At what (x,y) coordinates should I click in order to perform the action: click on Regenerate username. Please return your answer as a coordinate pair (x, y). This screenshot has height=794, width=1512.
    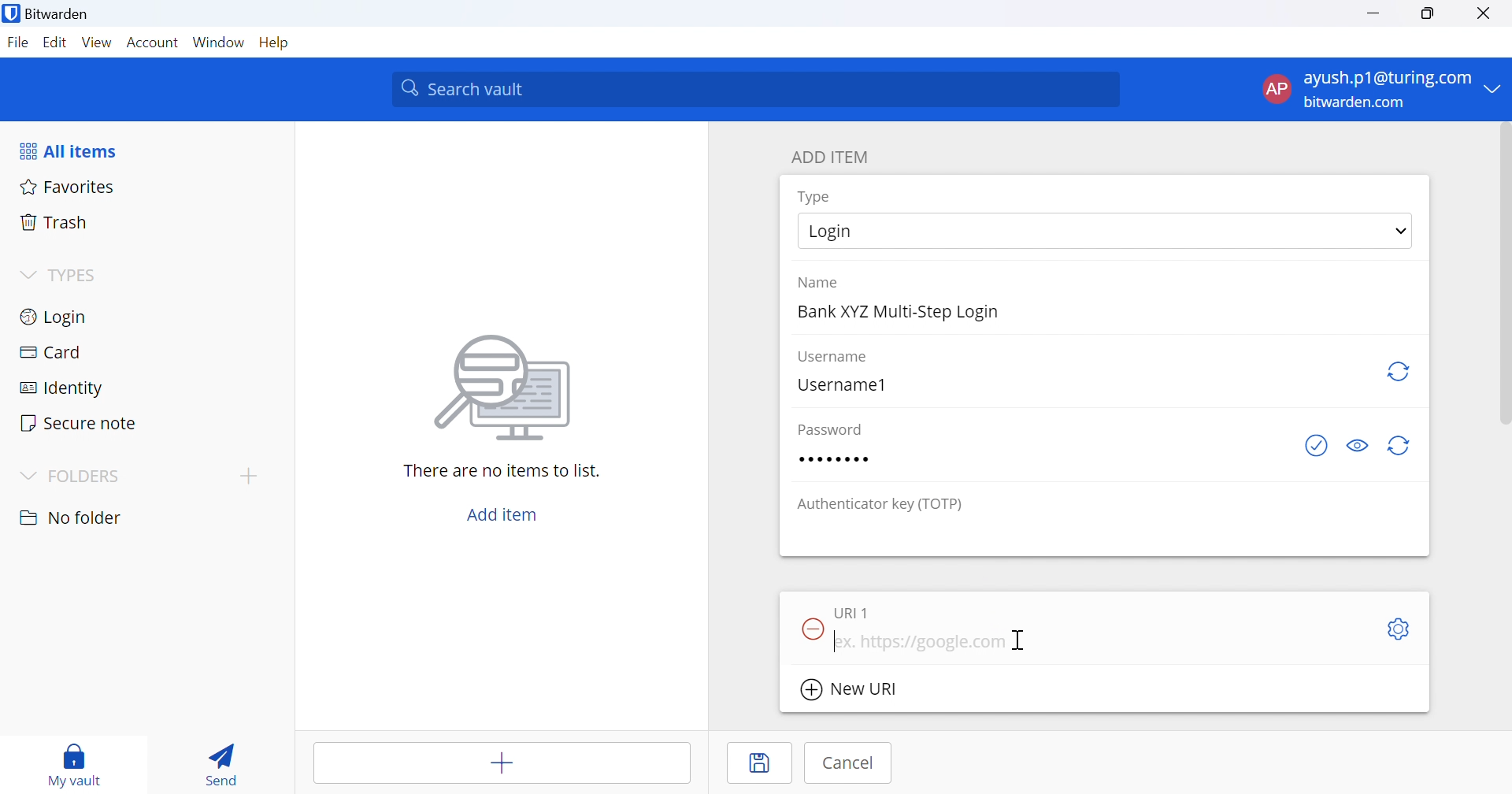
    Looking at the image, I should click on (1401, 374).